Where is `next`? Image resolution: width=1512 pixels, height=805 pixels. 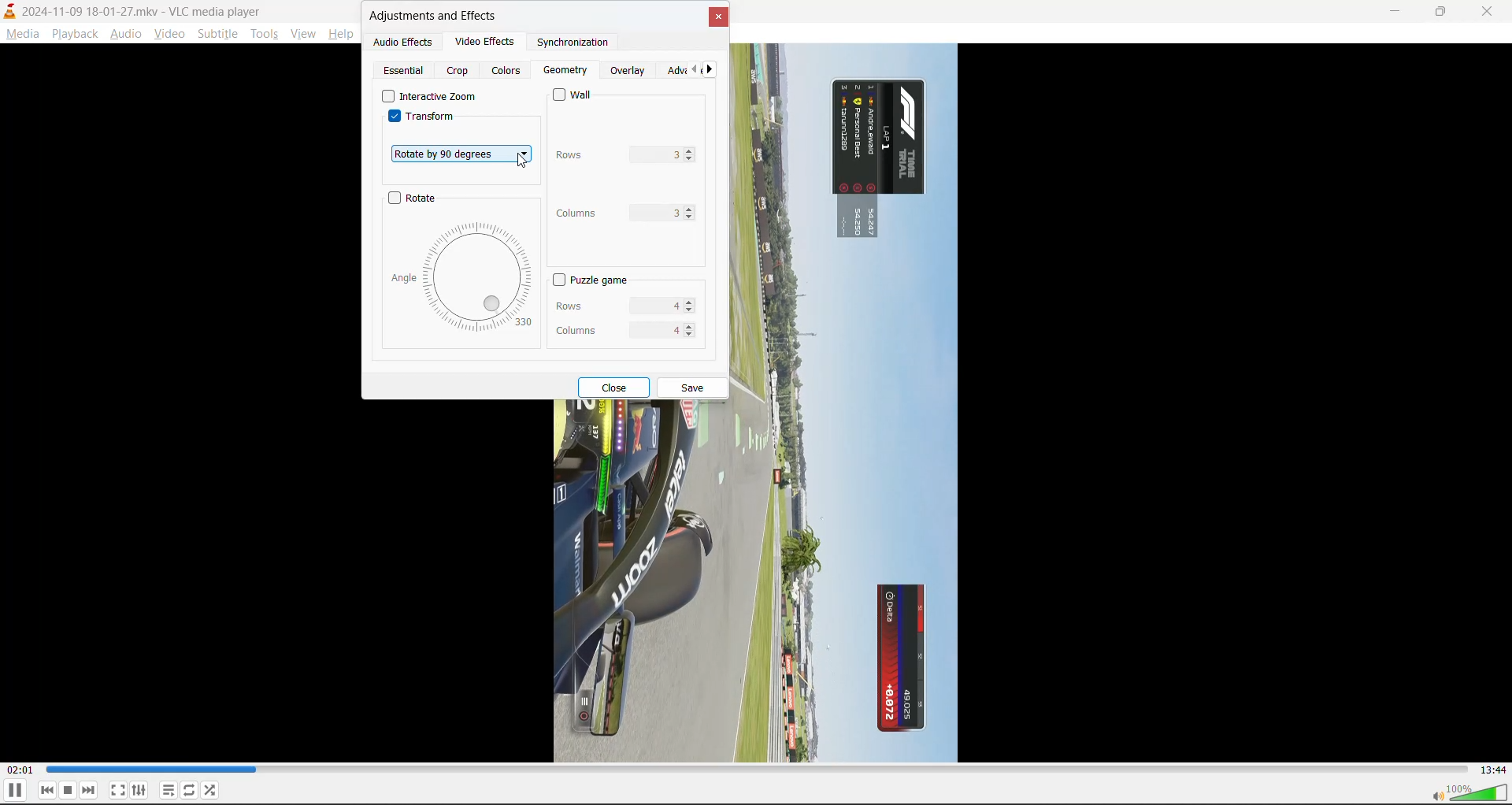 next is located at coordinates (90, 790).